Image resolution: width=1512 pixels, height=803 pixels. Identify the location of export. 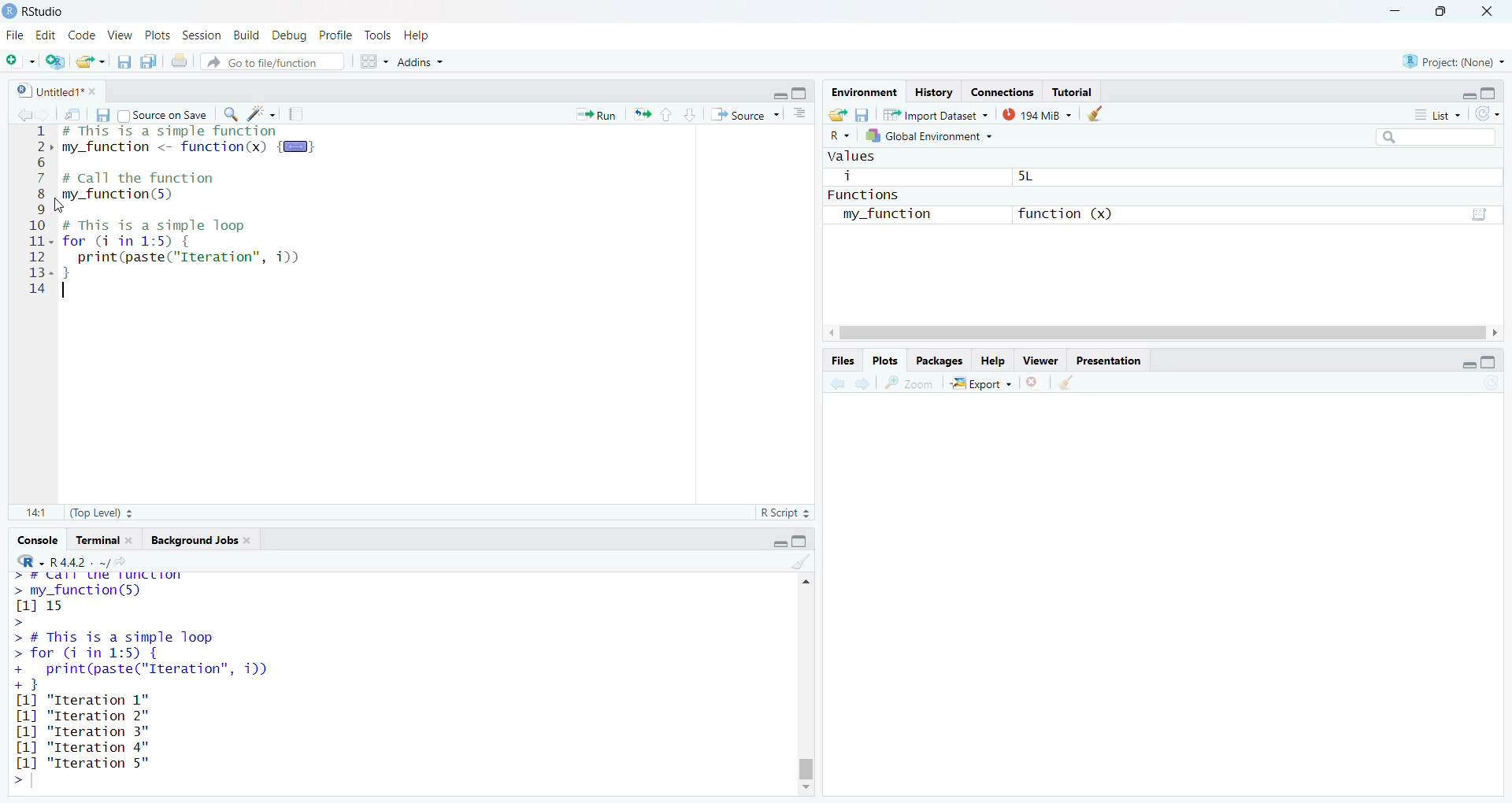
(984, 383).